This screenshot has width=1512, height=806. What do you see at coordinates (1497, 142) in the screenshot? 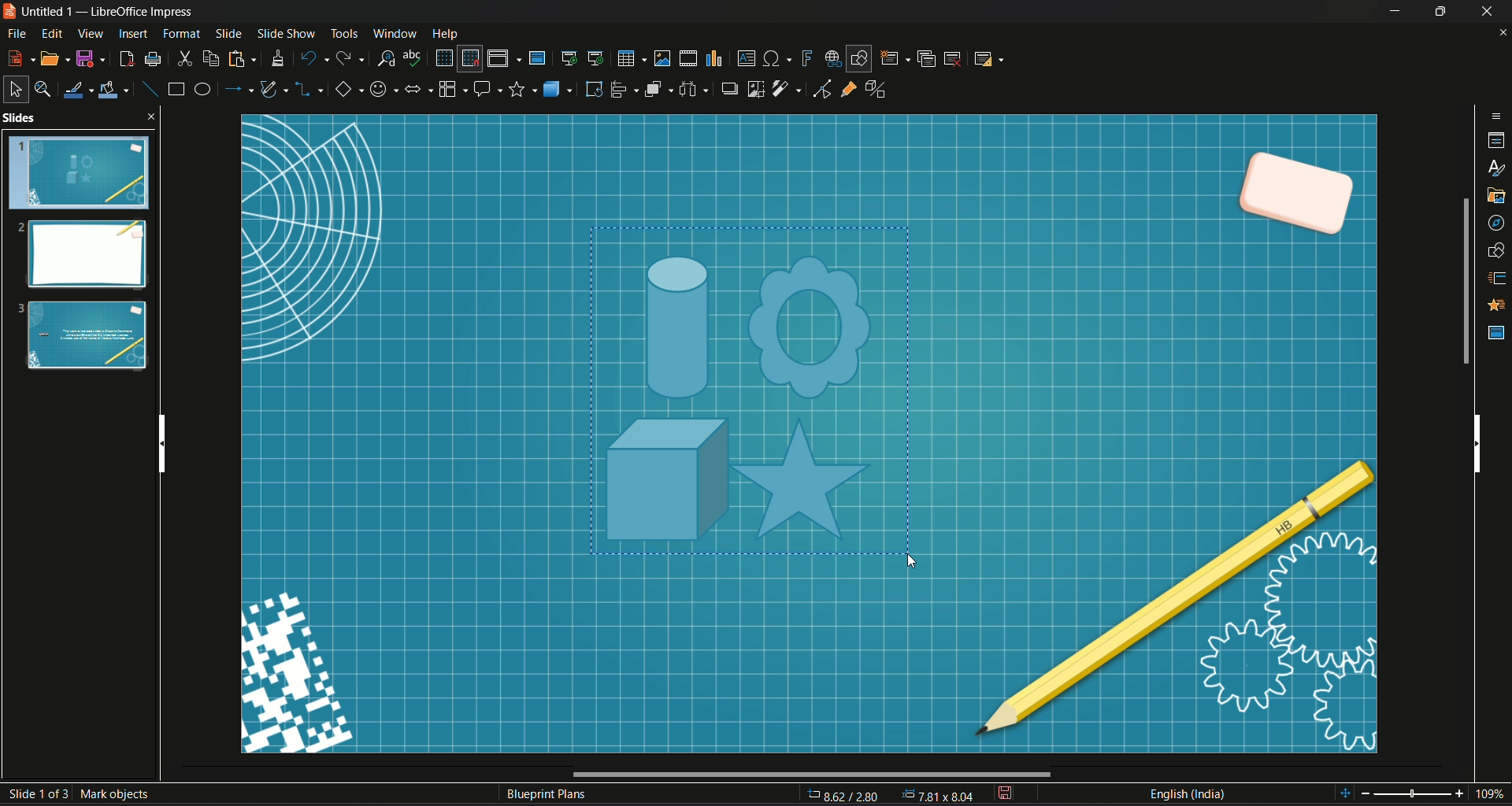
I see `properties` at bounding box center [1497, 142].